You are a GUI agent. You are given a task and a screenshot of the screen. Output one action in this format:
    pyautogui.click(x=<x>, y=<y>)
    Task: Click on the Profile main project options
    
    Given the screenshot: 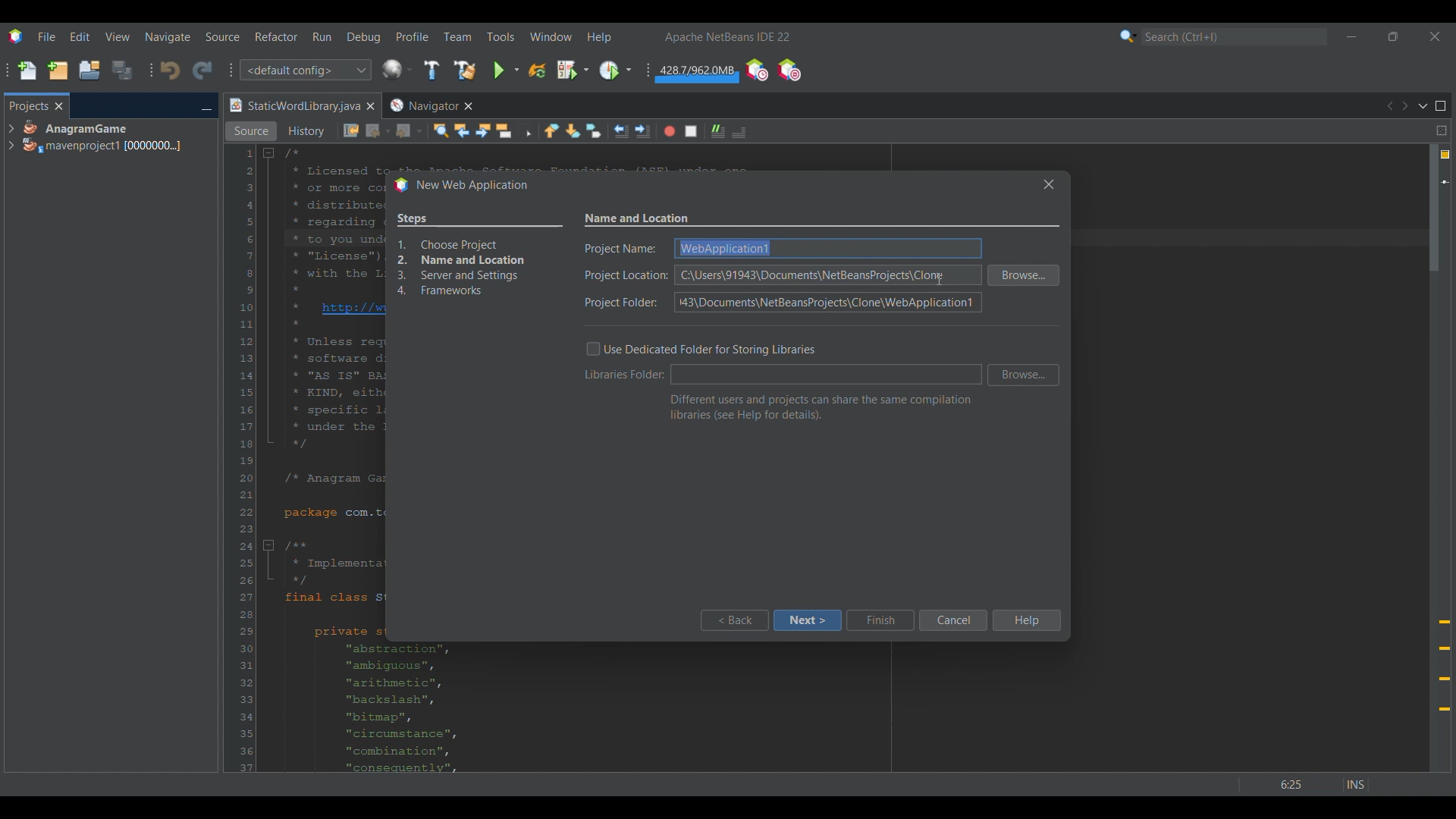 What is the action you would take?
    pyautogui.click(x=615, y=71)
    